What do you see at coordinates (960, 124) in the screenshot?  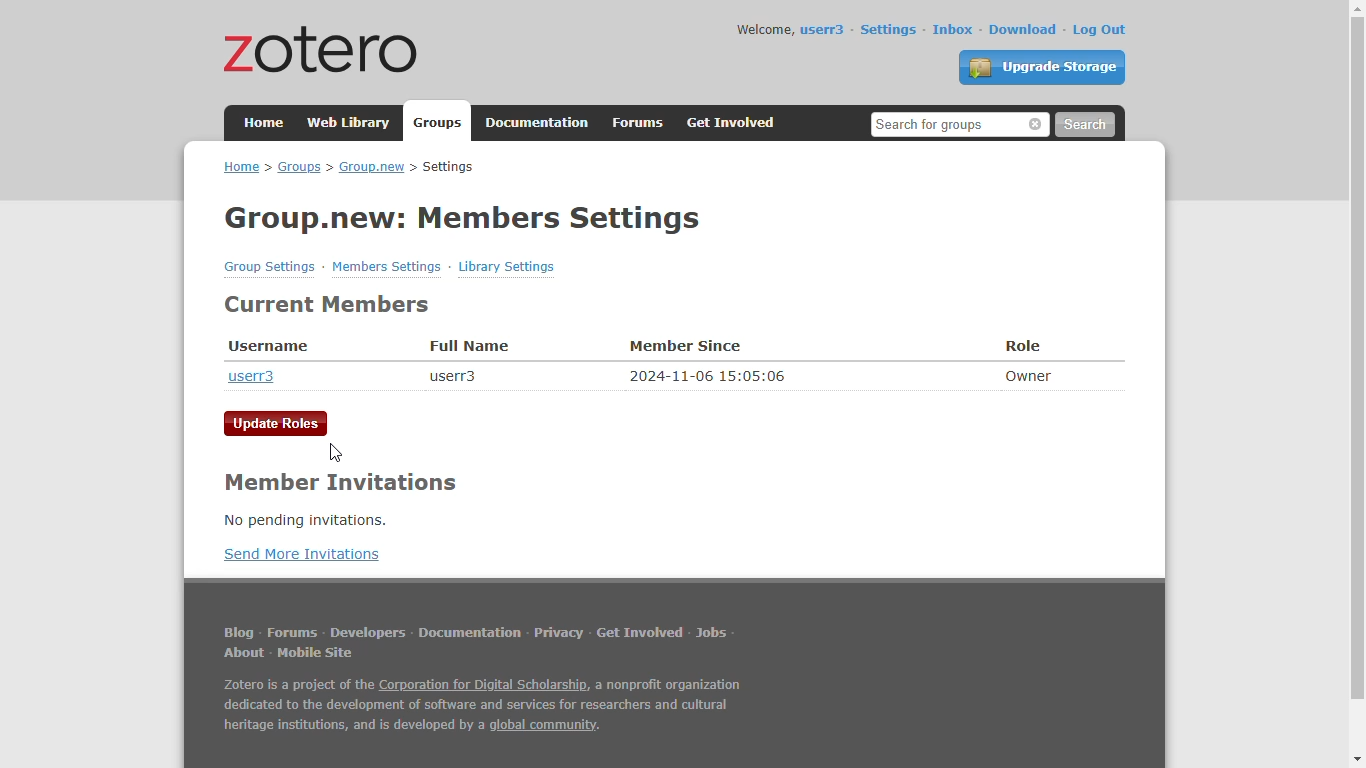 I see `search for people` at bounding box center [960, 124].